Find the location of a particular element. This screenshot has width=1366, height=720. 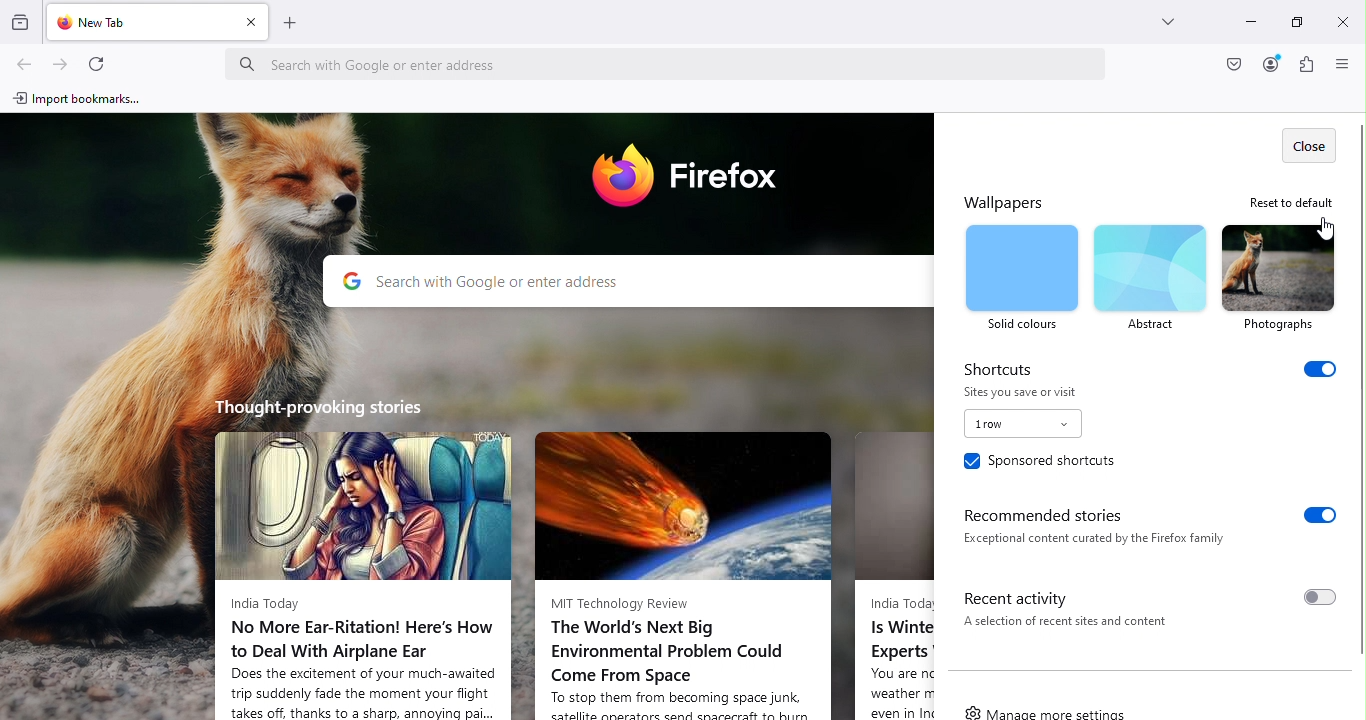

Search bar is located at coordinates (624, 282).